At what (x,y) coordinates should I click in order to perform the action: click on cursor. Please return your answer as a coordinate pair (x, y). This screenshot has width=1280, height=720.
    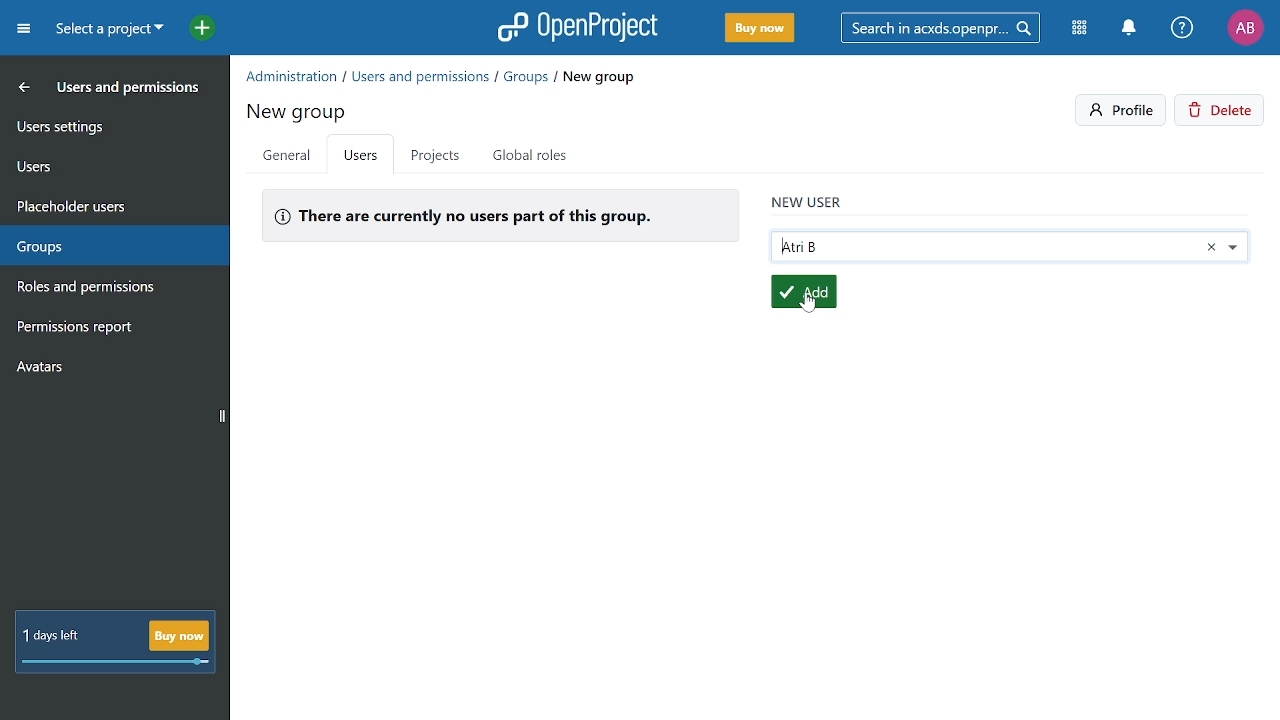
    Looking at the image, I should click on (805, 308).